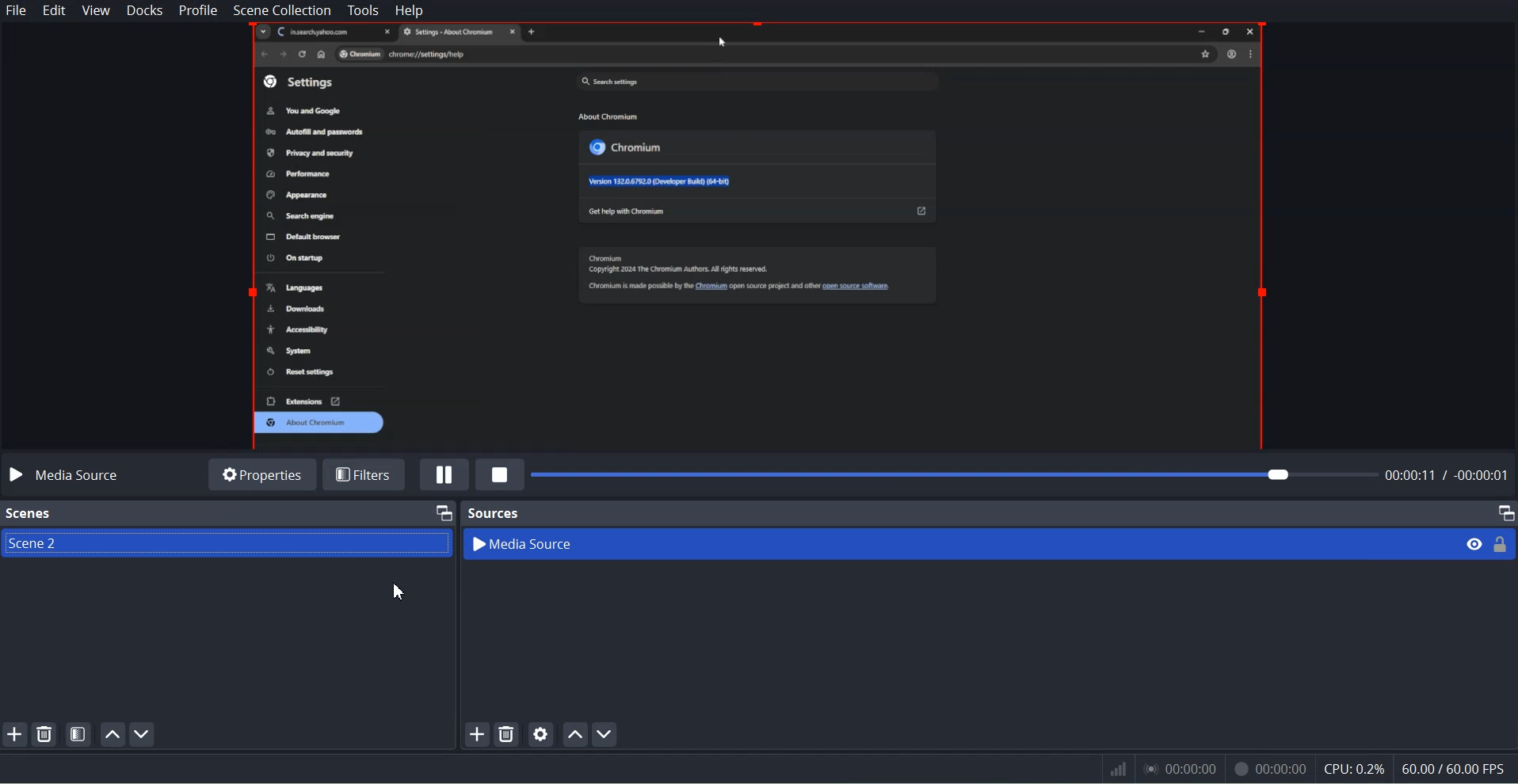 The width and height of the screenshot is (1518, 784). Describe the element at coordinates (66, 476) in the screenshot. I see `Media source` at that location.